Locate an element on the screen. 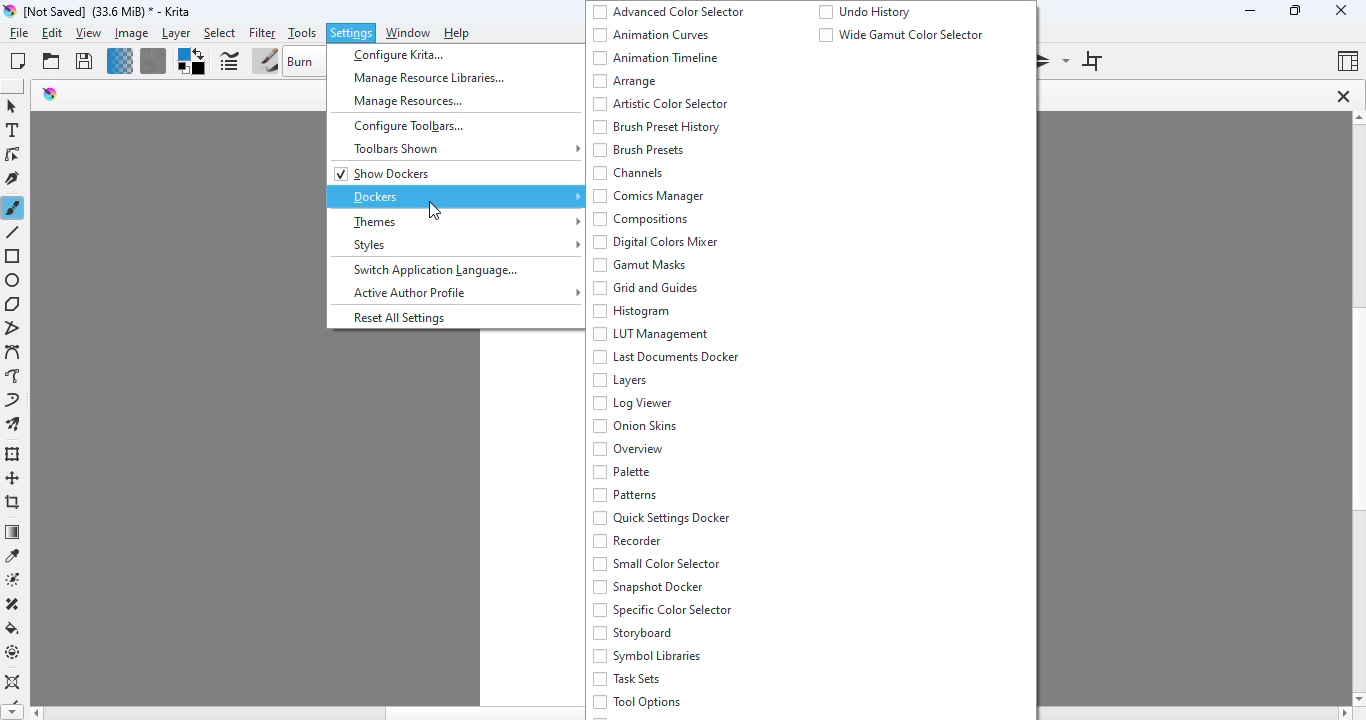 This screenshot has width=1366, height=720. vertical scroll bar is located at coordinates (1357, 410).